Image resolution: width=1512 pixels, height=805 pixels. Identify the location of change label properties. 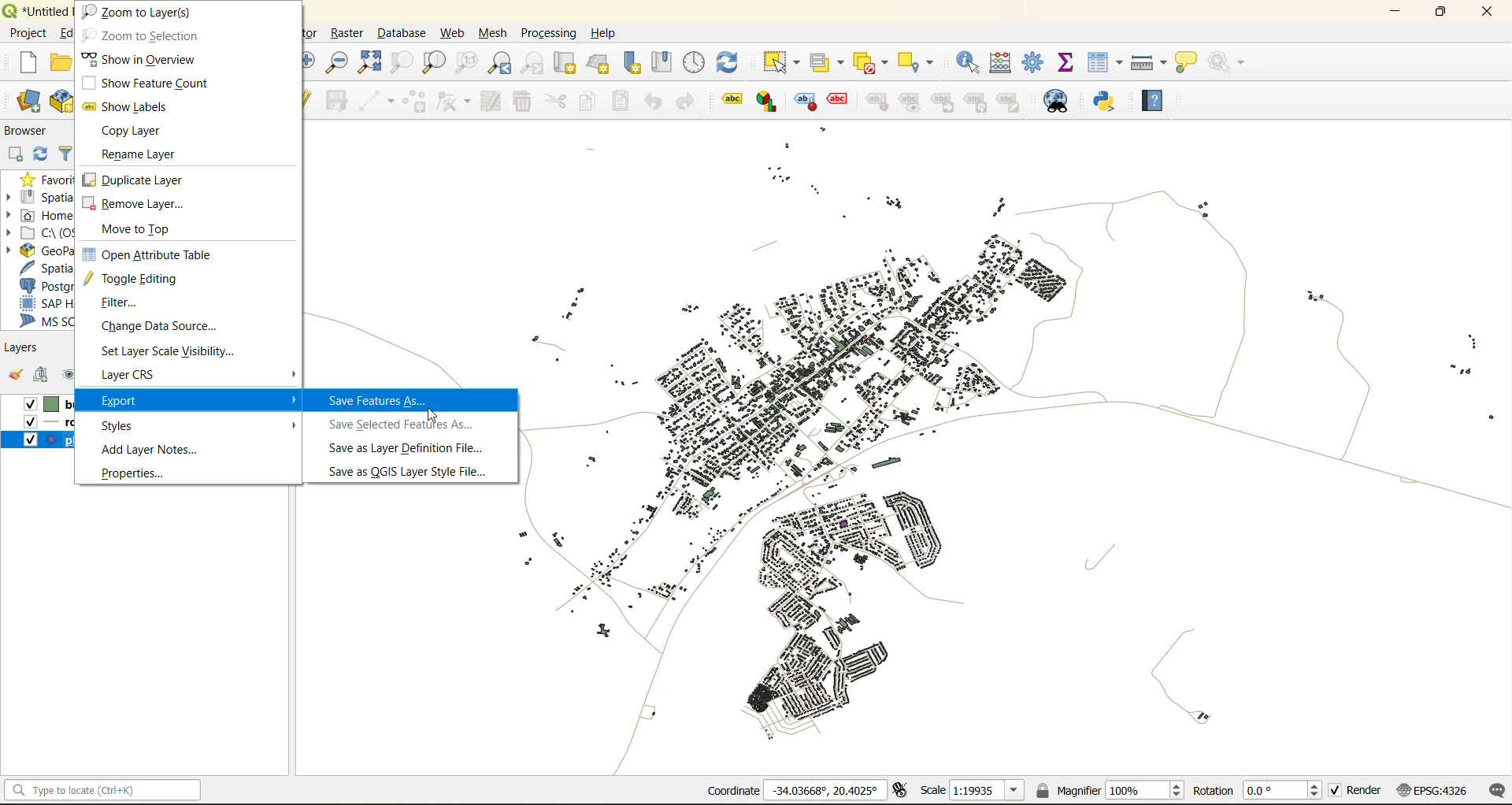
(1014, 102).